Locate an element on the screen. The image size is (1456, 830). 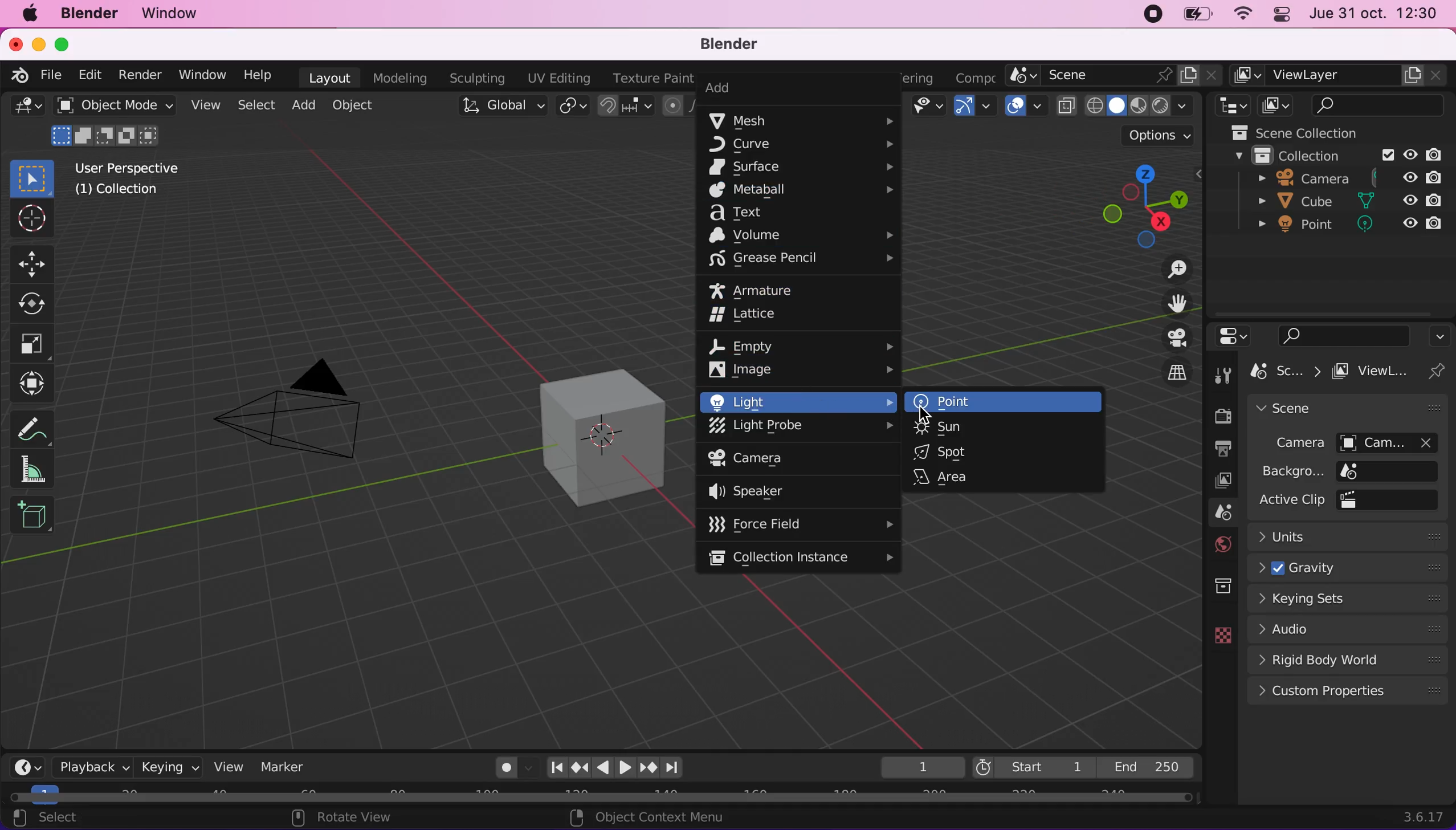
hide in viewpoint is located at coordinates (1408, 225).